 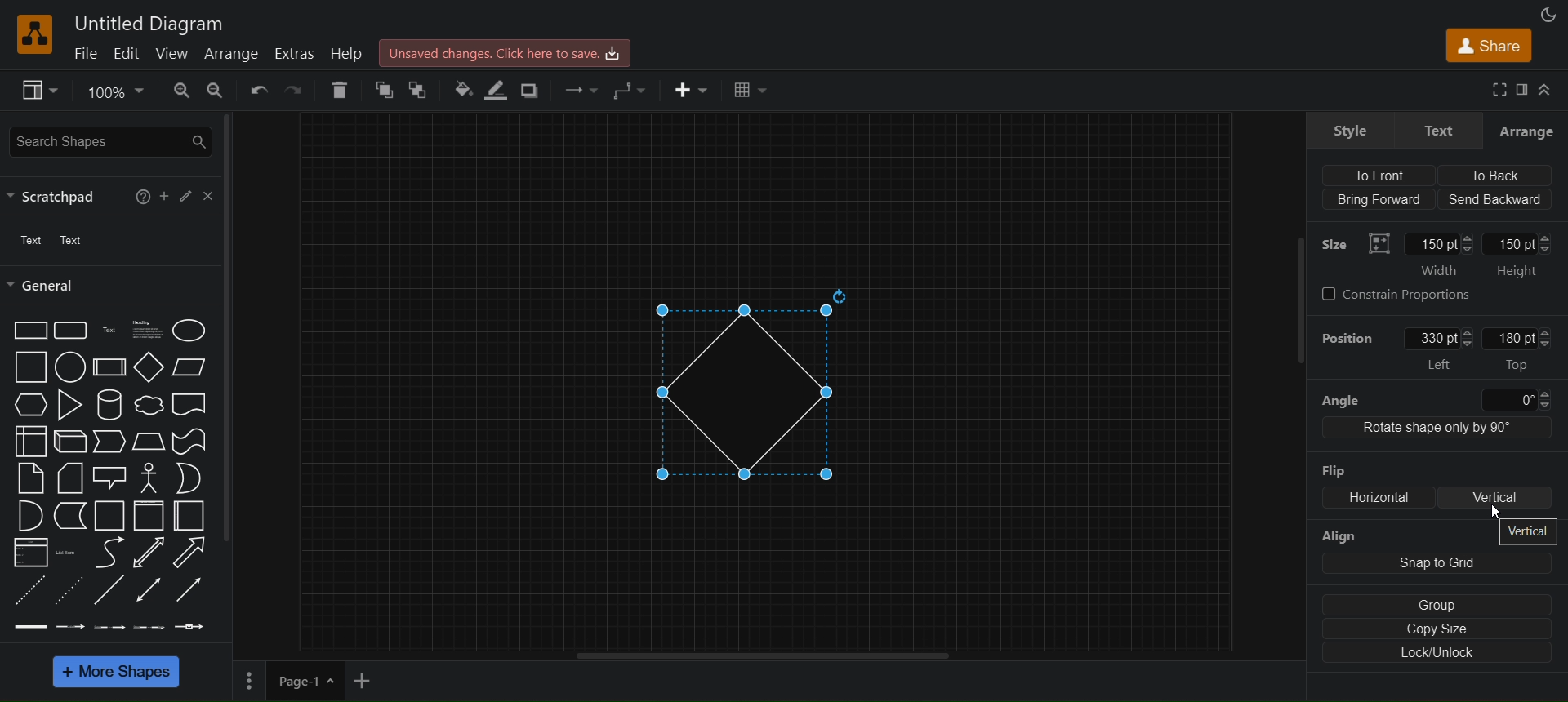 What do you see at coordinates (145, 20) in the screenshot?
I see `title` at bounding box center [145, 20].